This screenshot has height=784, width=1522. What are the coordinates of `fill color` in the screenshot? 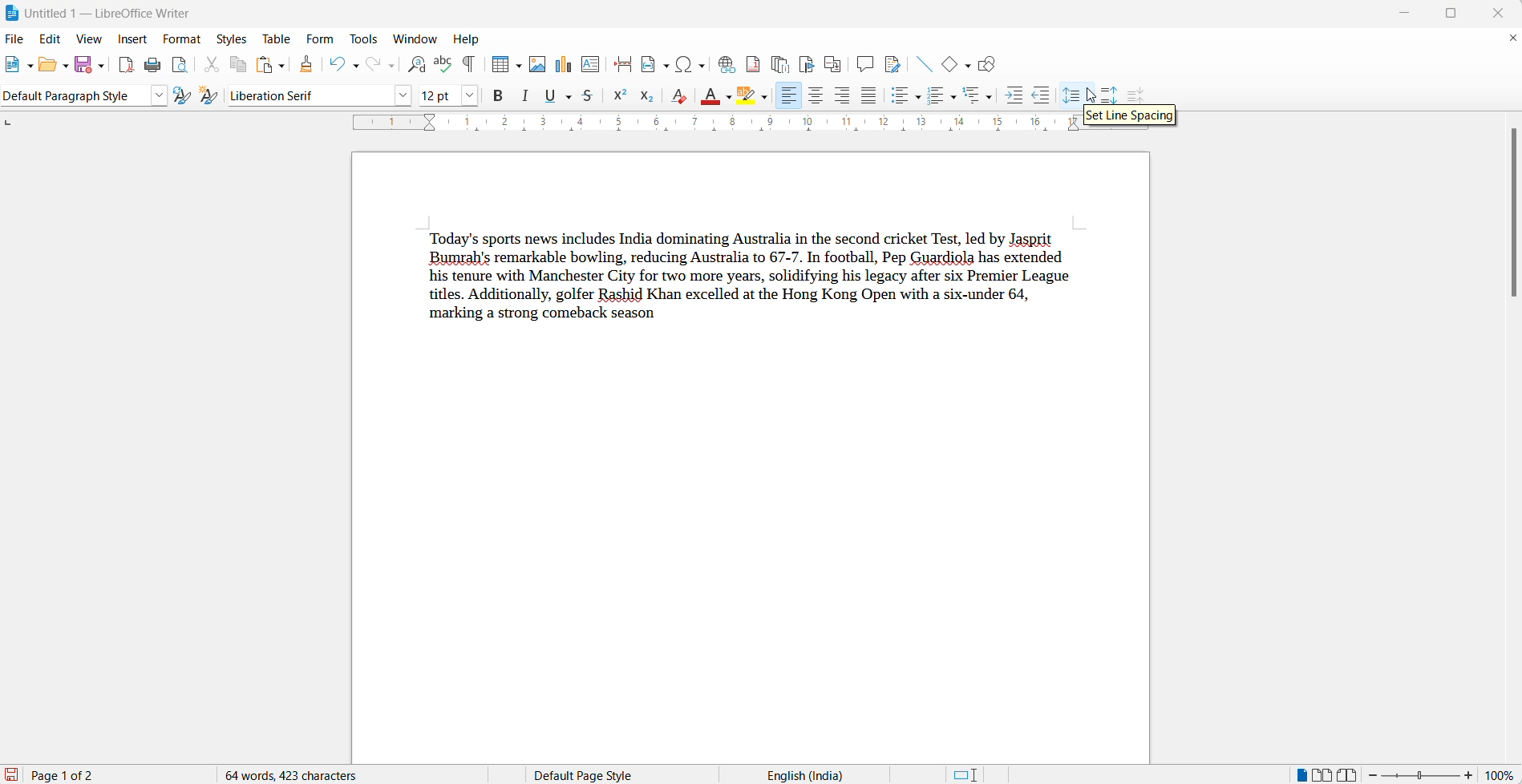 It's located at (711, 98).